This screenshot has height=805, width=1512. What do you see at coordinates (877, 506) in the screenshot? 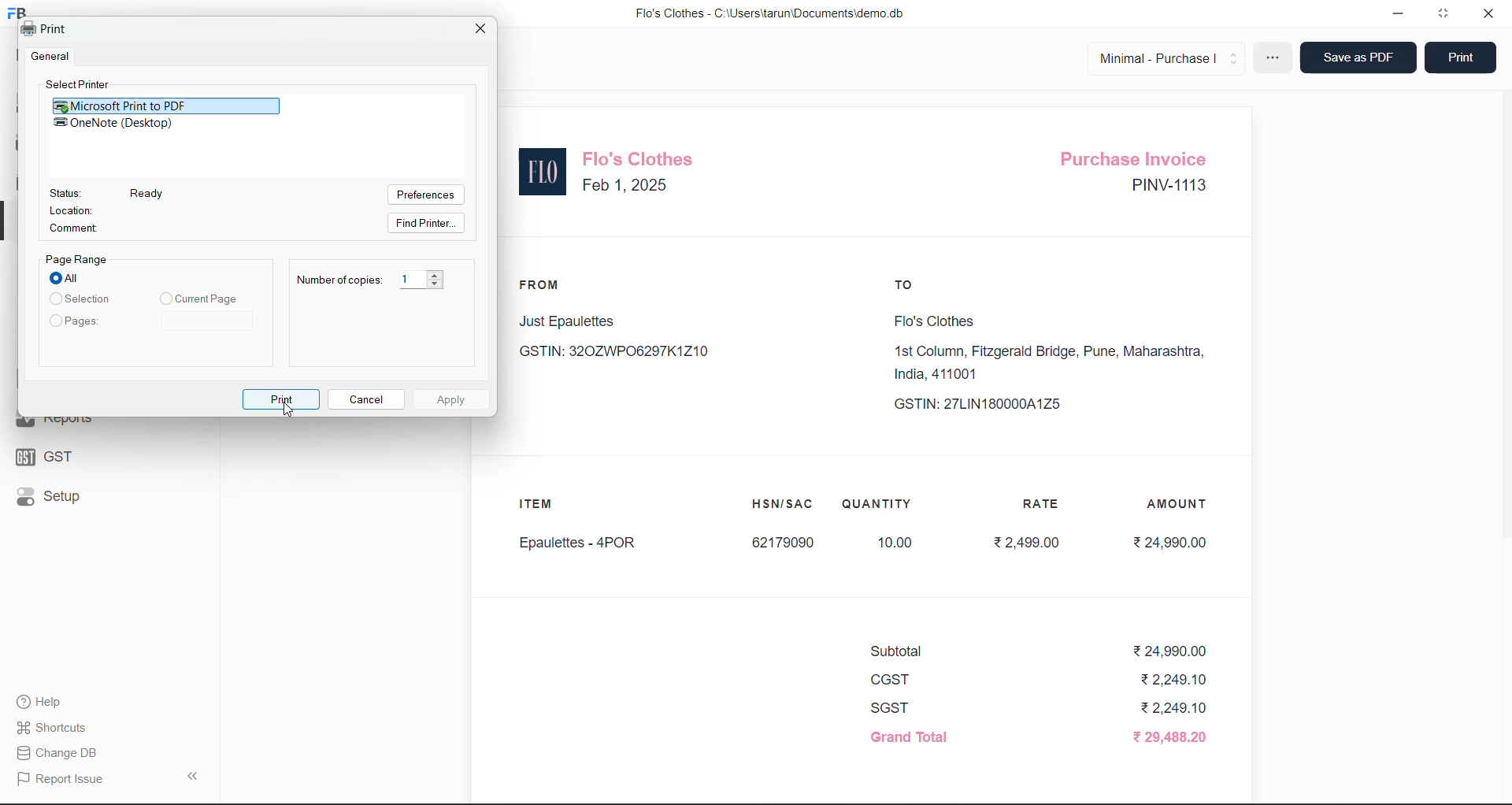
I see `QUANTITY` at bounding box center [877, 506].